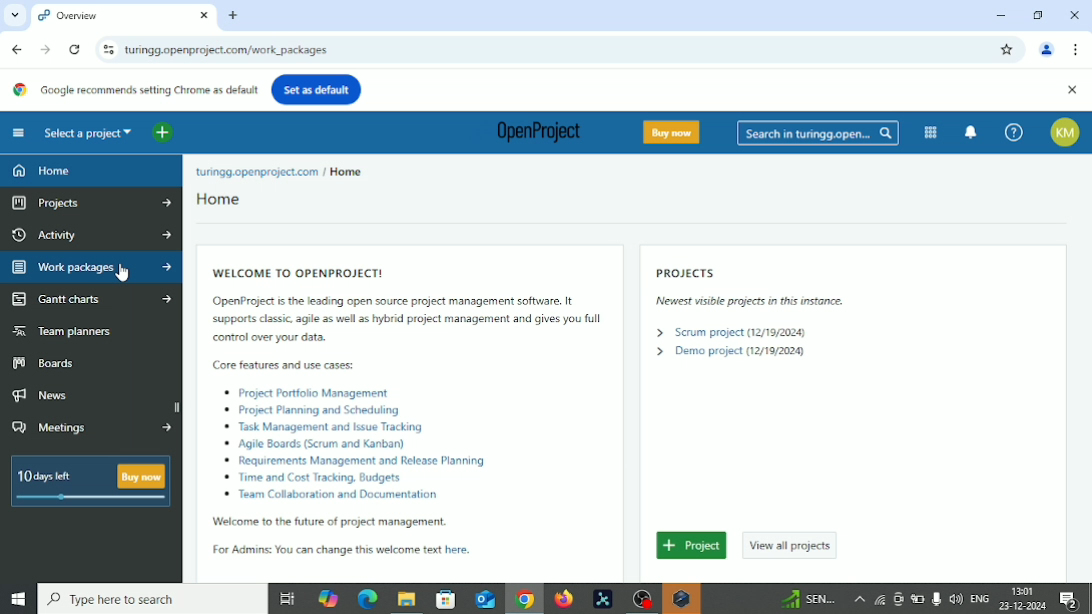 This screenshot has width=1092, height=614. Describe the element at coordinates (316, 89) in the screenshot. I see `Set as default` at that location.